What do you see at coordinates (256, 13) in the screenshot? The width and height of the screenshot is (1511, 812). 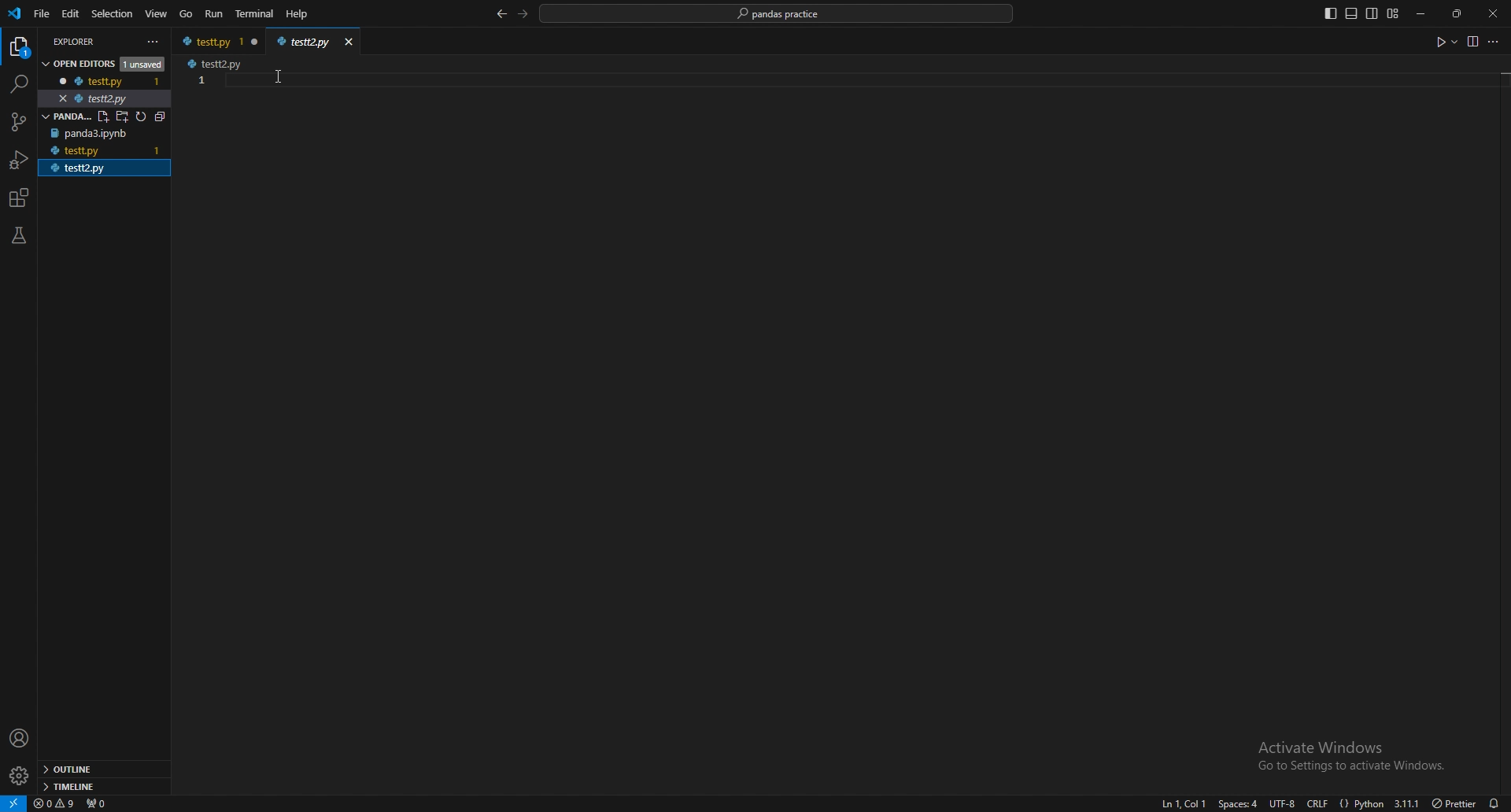 I see `terminal` at bounding box center [256, 13].